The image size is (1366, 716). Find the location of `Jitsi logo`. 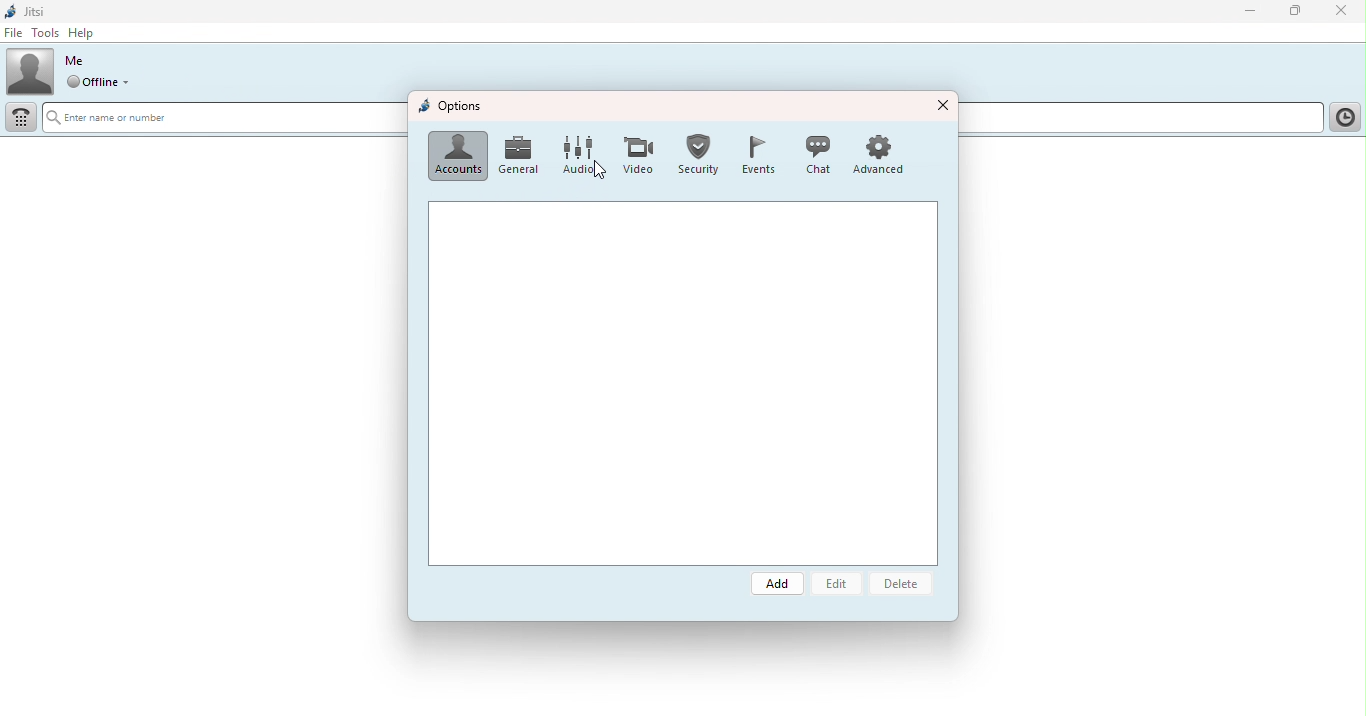

Jitsi logo is located at coordinates (29, 10).